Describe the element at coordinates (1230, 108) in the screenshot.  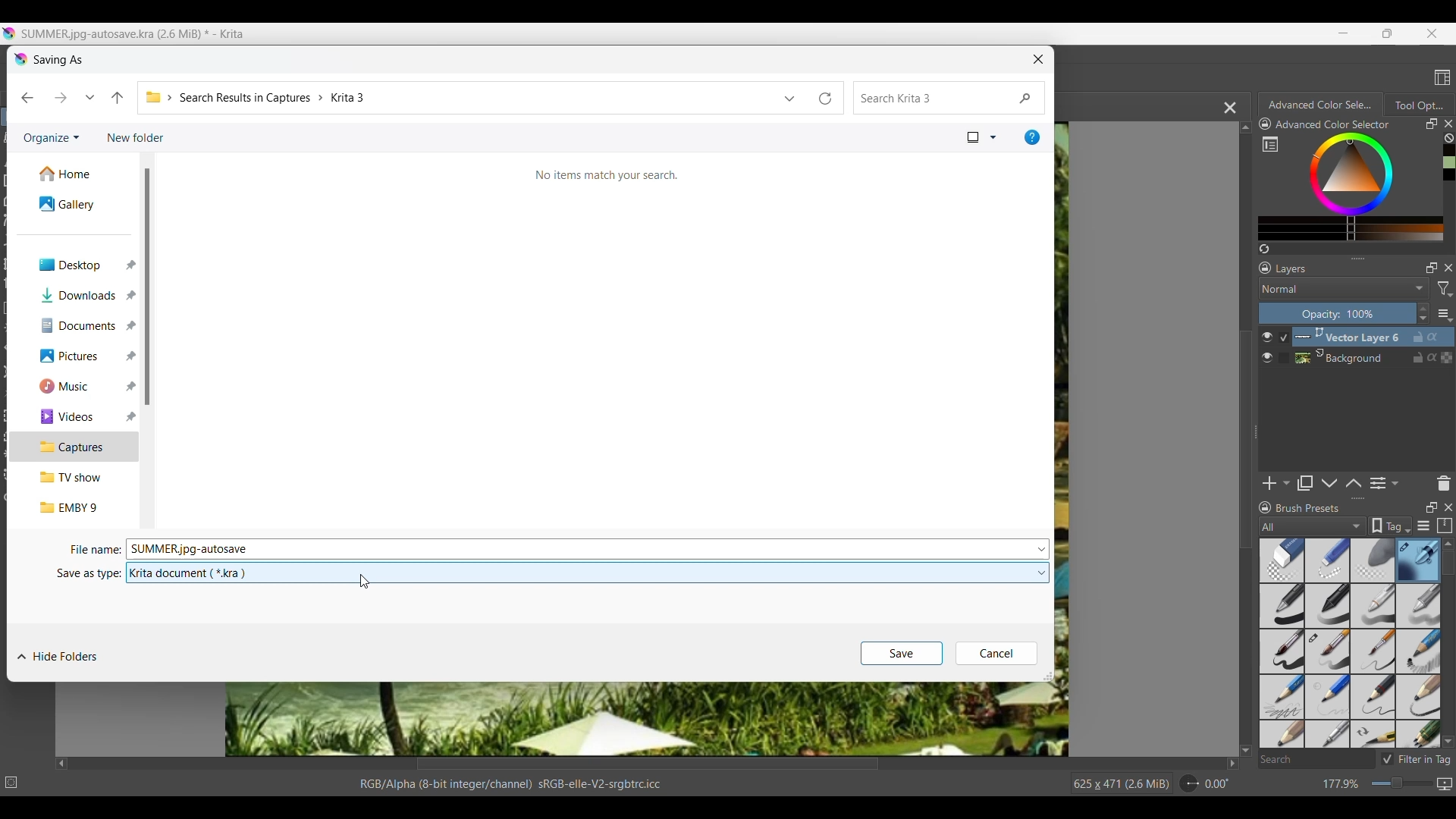
I see `Close current image space` at that location.